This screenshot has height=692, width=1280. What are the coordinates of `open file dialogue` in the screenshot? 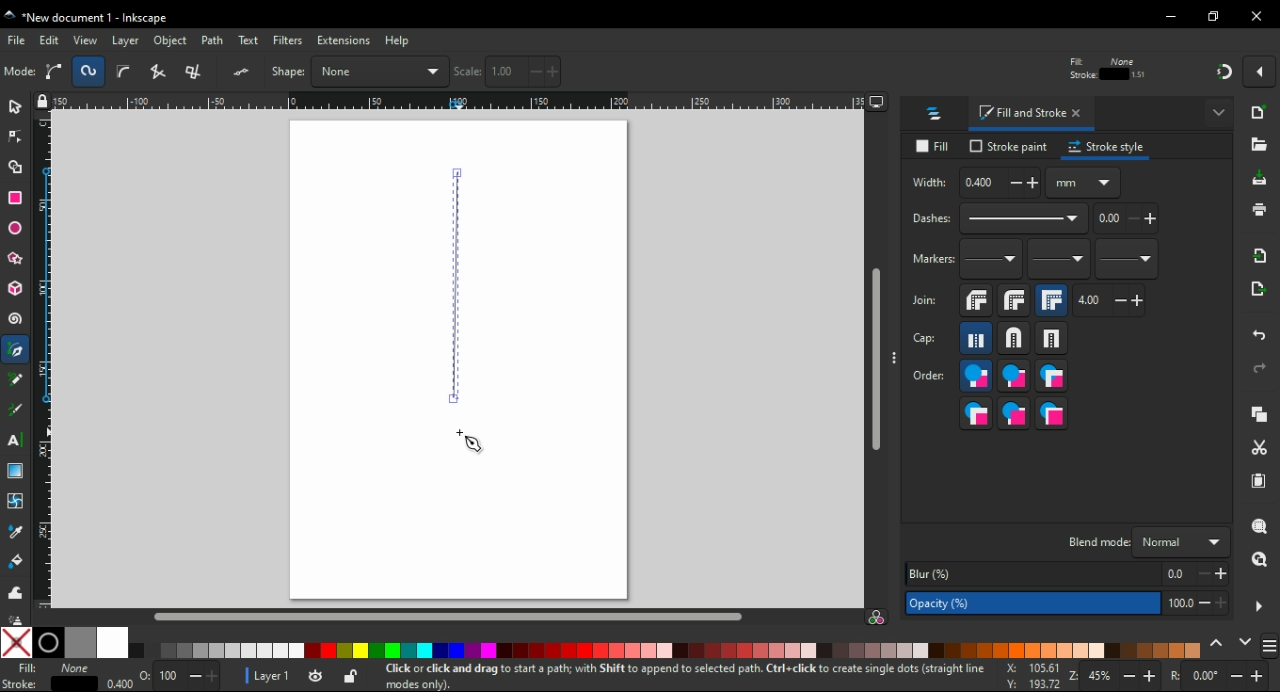 It's located at (1259, 148).